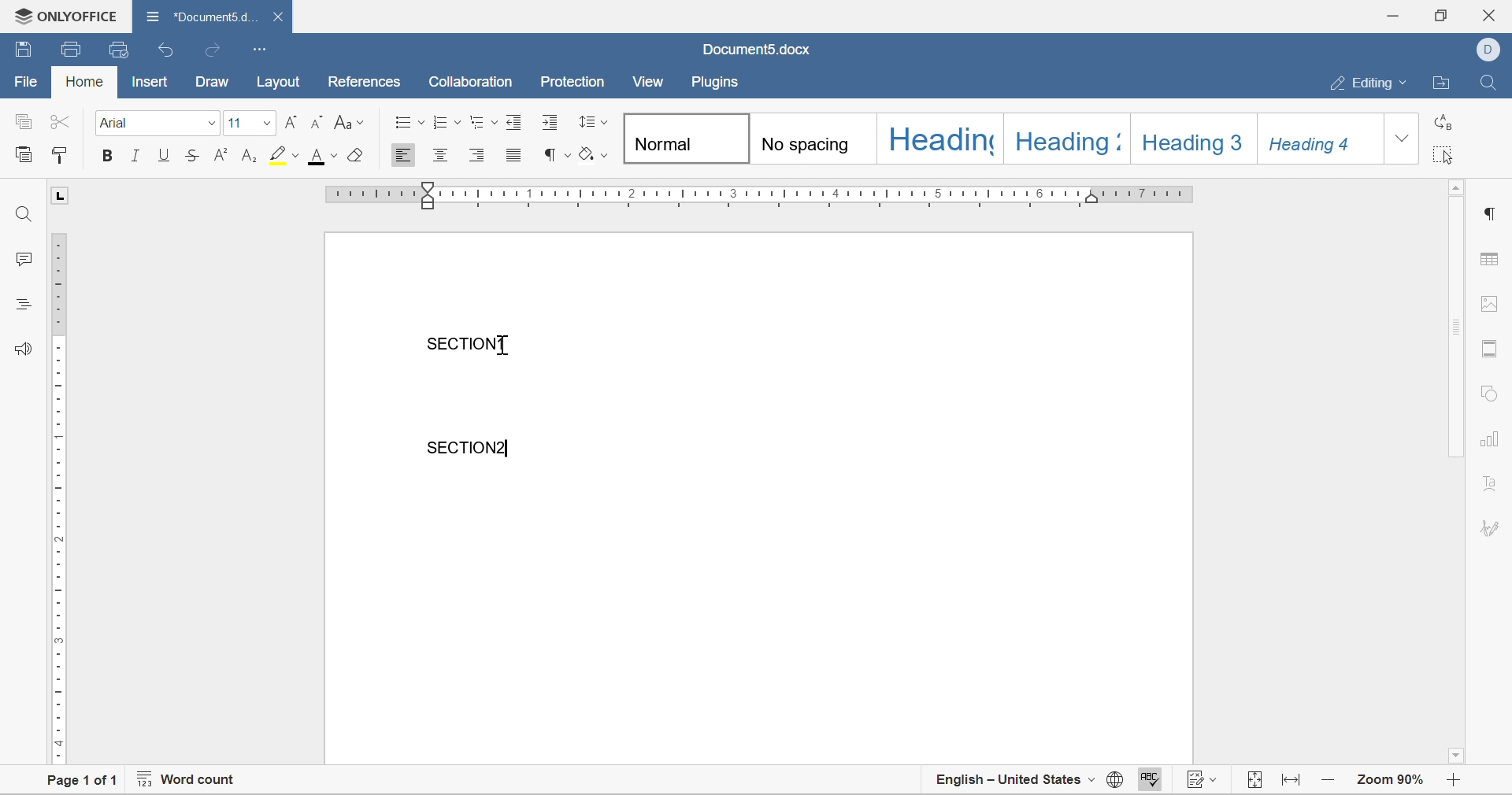 The image size is (1512, 795). Describe the element at coordinates (1492, 441) in the screenshot. I see `chart settings` at that location.